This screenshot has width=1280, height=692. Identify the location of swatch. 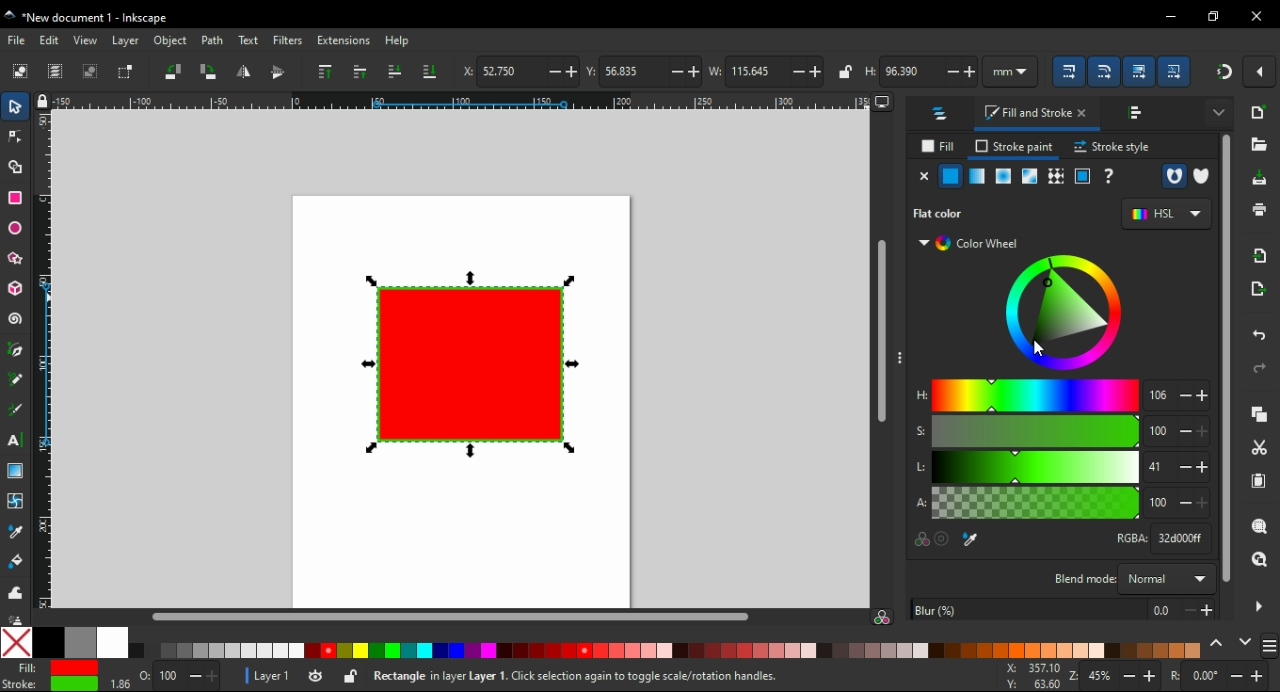
(1031, 176).